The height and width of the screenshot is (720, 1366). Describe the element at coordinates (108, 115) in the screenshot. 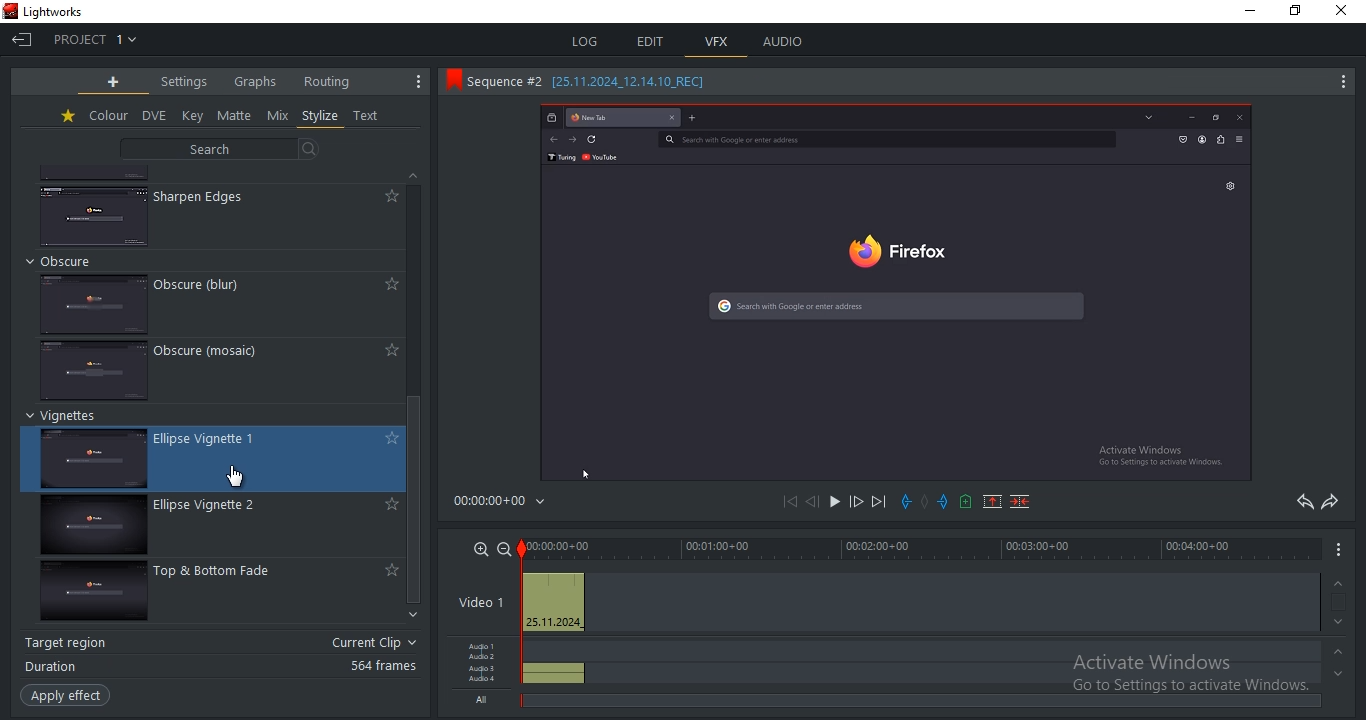

I see `colour` at that location.